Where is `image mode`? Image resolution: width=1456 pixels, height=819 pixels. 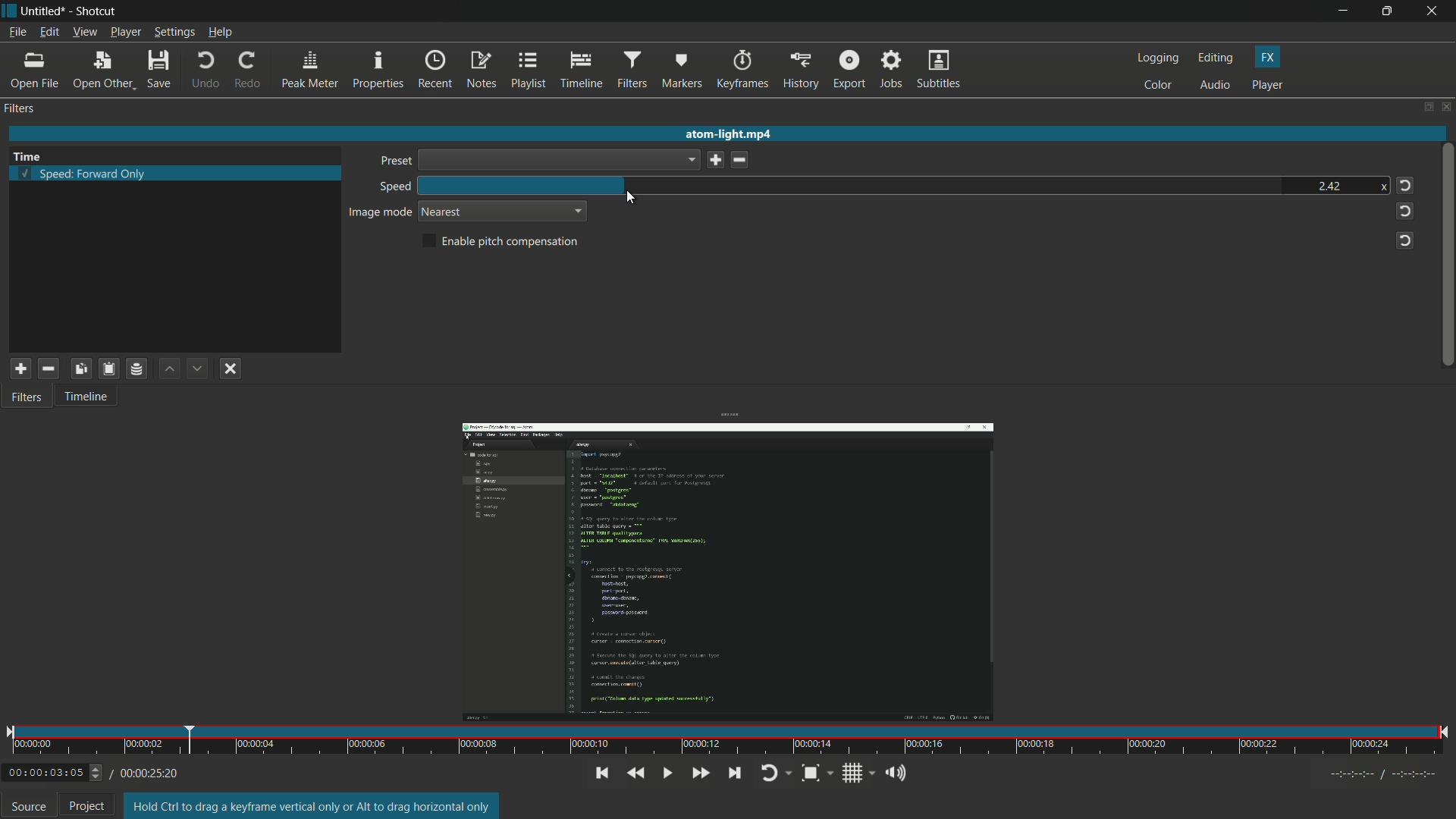
image mode is located at coordinates (380, 213).